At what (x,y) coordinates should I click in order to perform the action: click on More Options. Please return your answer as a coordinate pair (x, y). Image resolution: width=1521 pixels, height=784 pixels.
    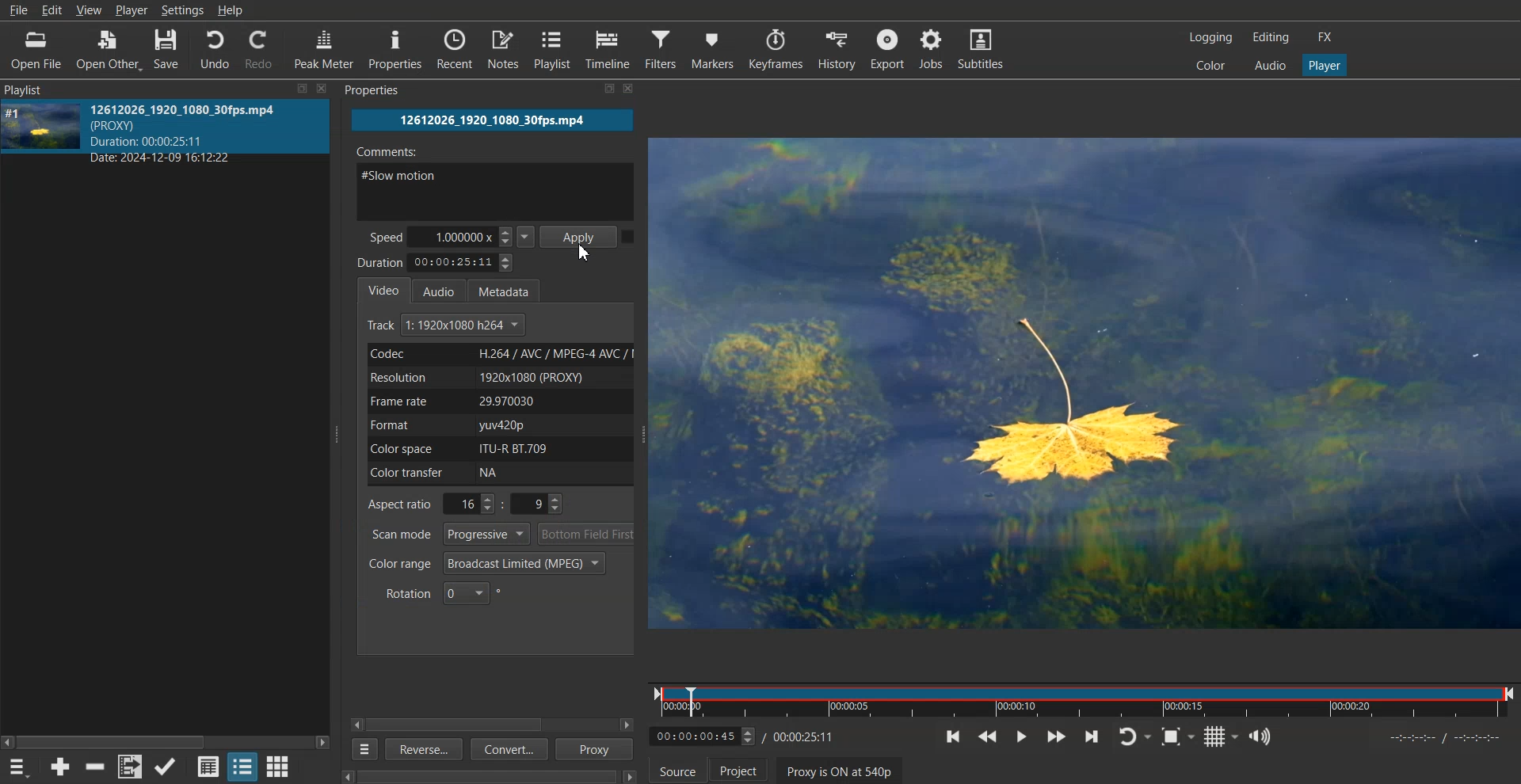
    Looking at the image, I should click on (361, 749).